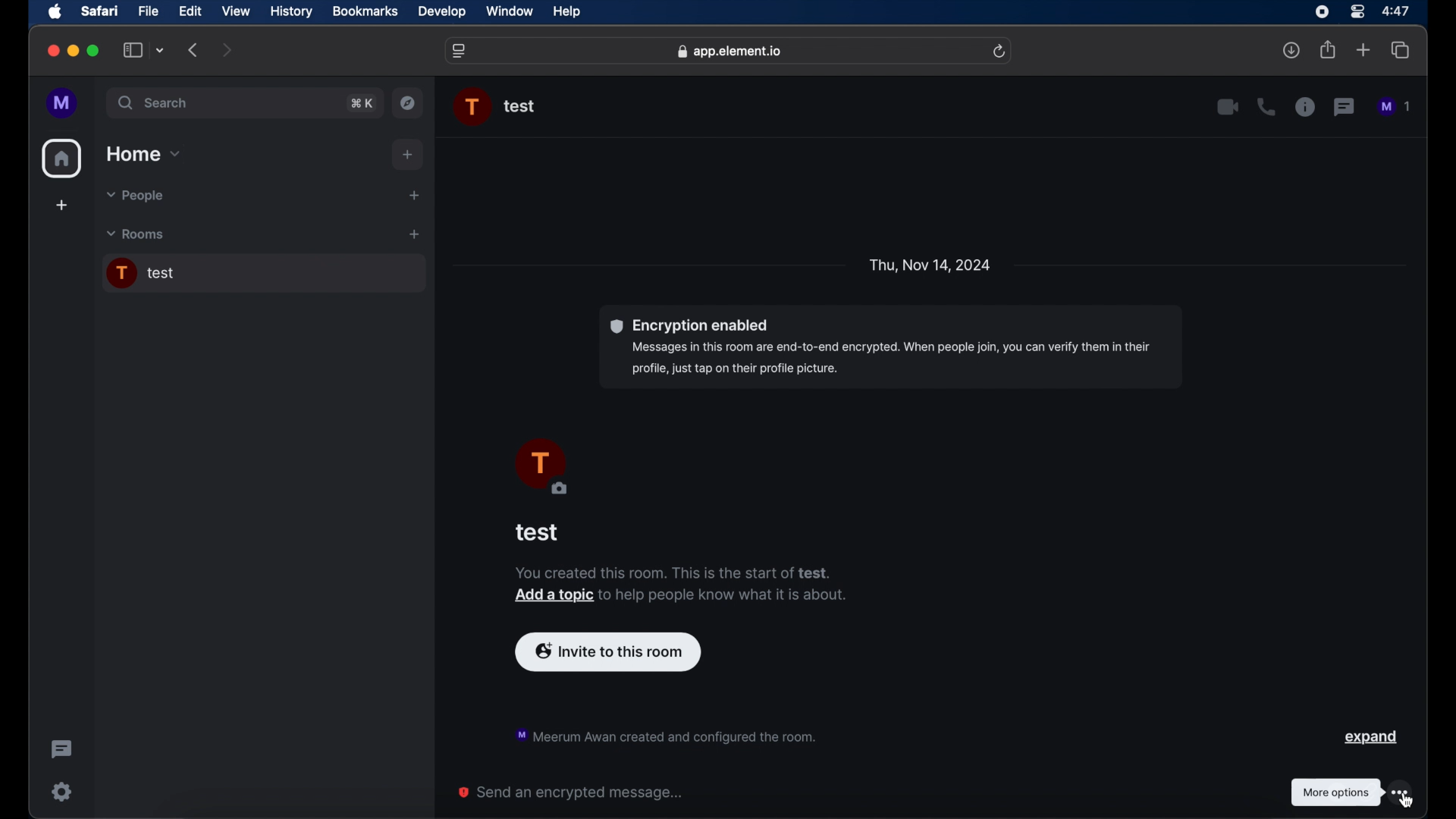  Describe the element at coordinates (52, 51) in the screenshot. I see `close` at that location.